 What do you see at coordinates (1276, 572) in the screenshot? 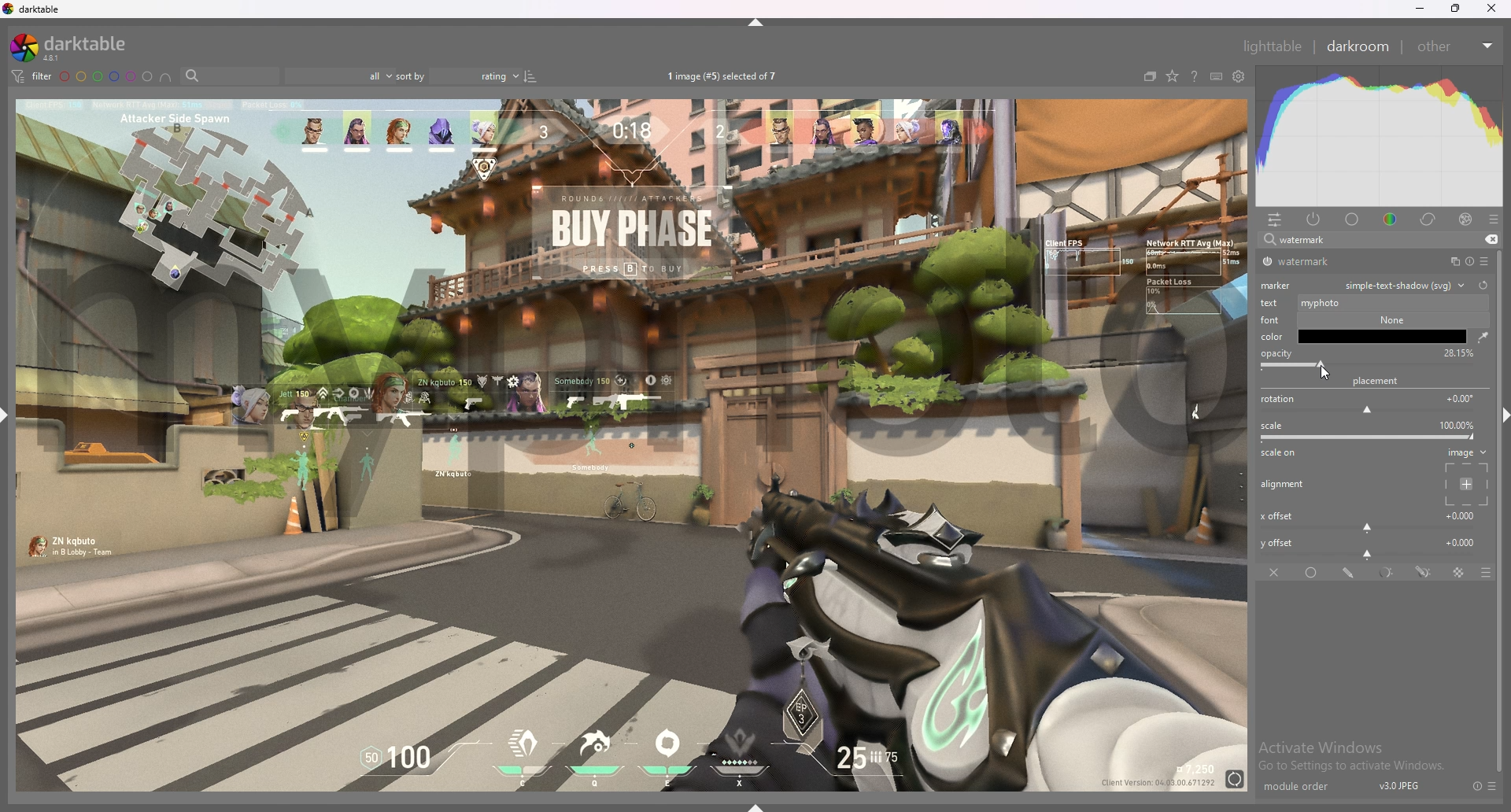
I see `off` at bounding box center [1276, 572].